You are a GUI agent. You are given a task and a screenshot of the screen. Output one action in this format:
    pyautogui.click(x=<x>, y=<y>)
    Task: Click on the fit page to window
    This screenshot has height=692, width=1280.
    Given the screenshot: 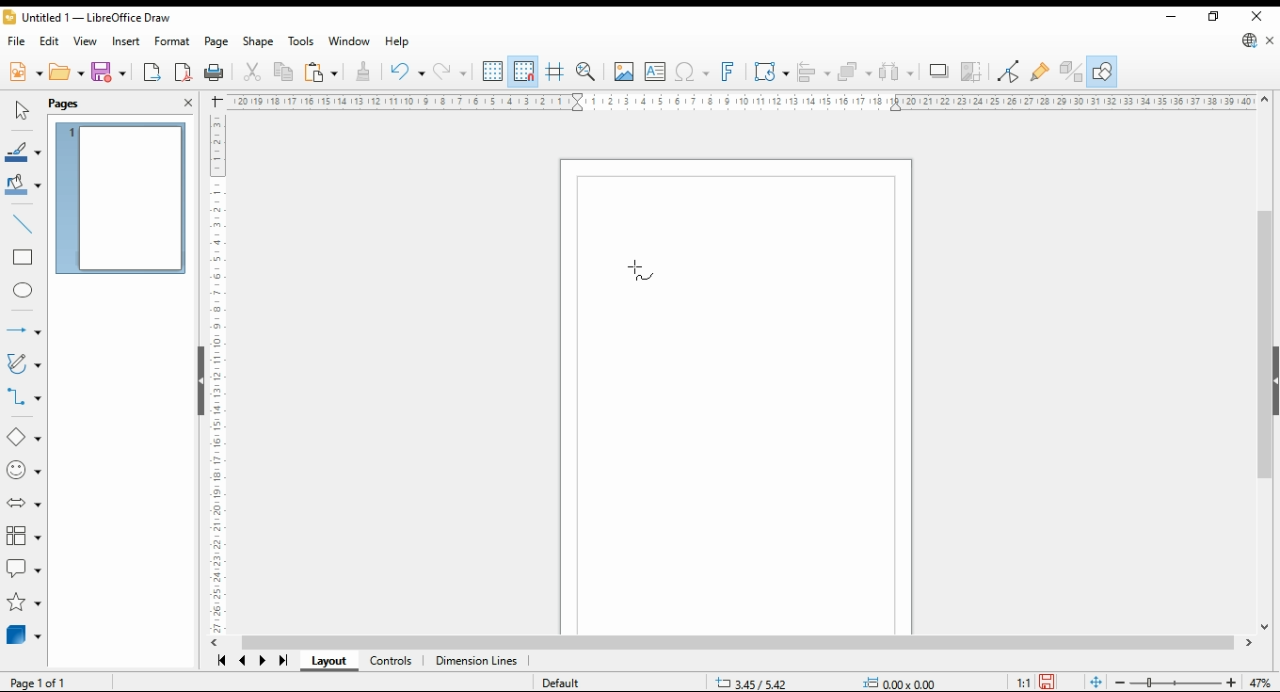 What is the action you would take?
    pyautogui.click(x=1095, y=681)
    